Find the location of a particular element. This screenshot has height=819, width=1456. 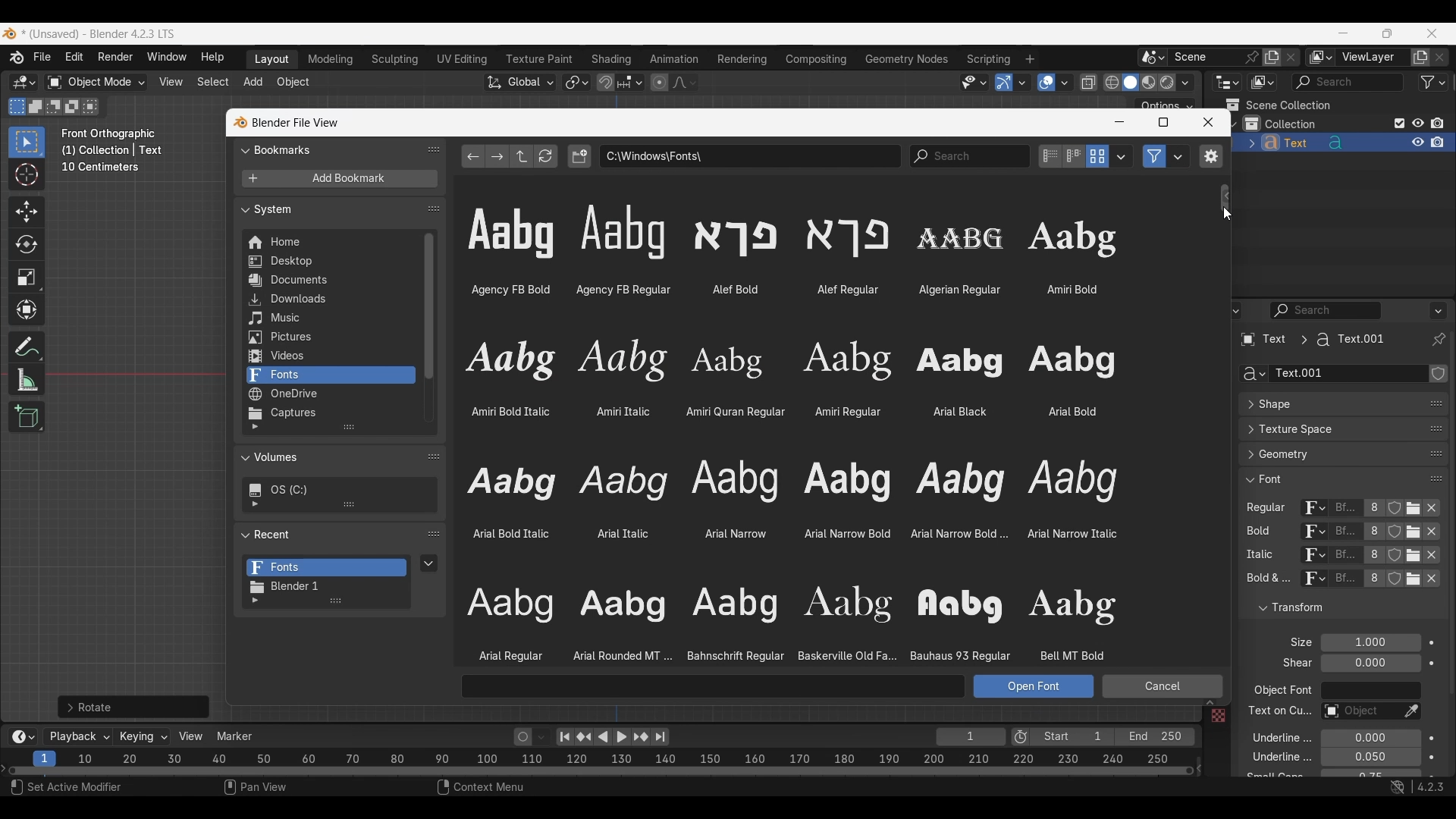

fake user is located at coordinates (1397, 585).